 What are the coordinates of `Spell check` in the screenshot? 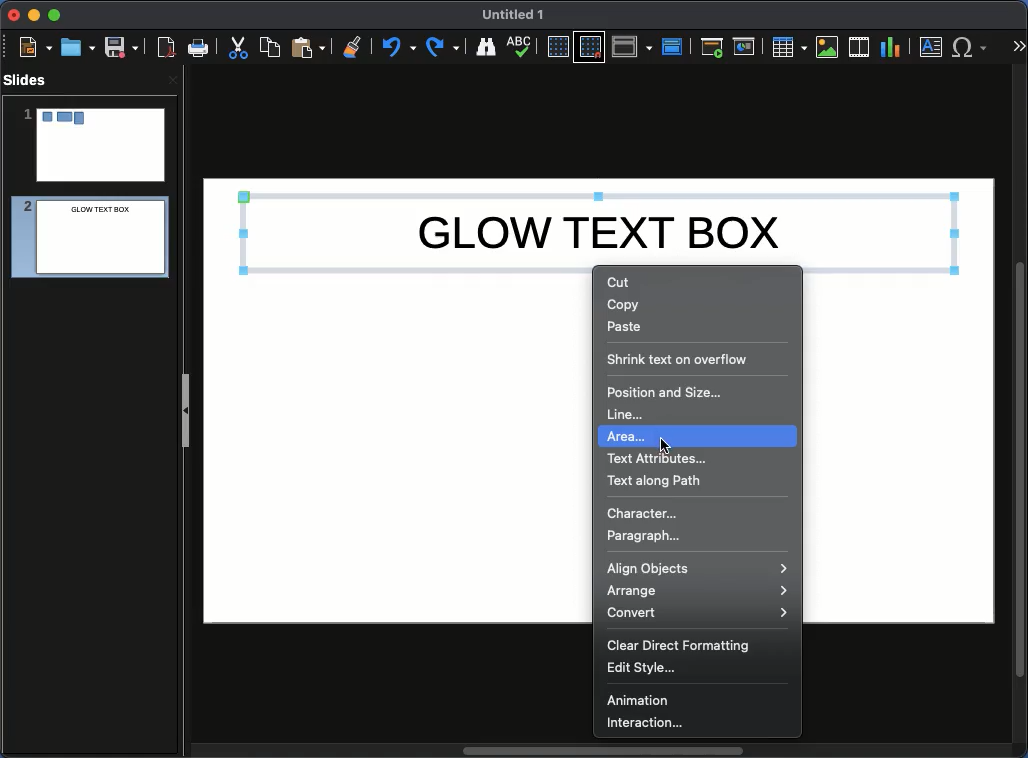 It's located at (521, 48).